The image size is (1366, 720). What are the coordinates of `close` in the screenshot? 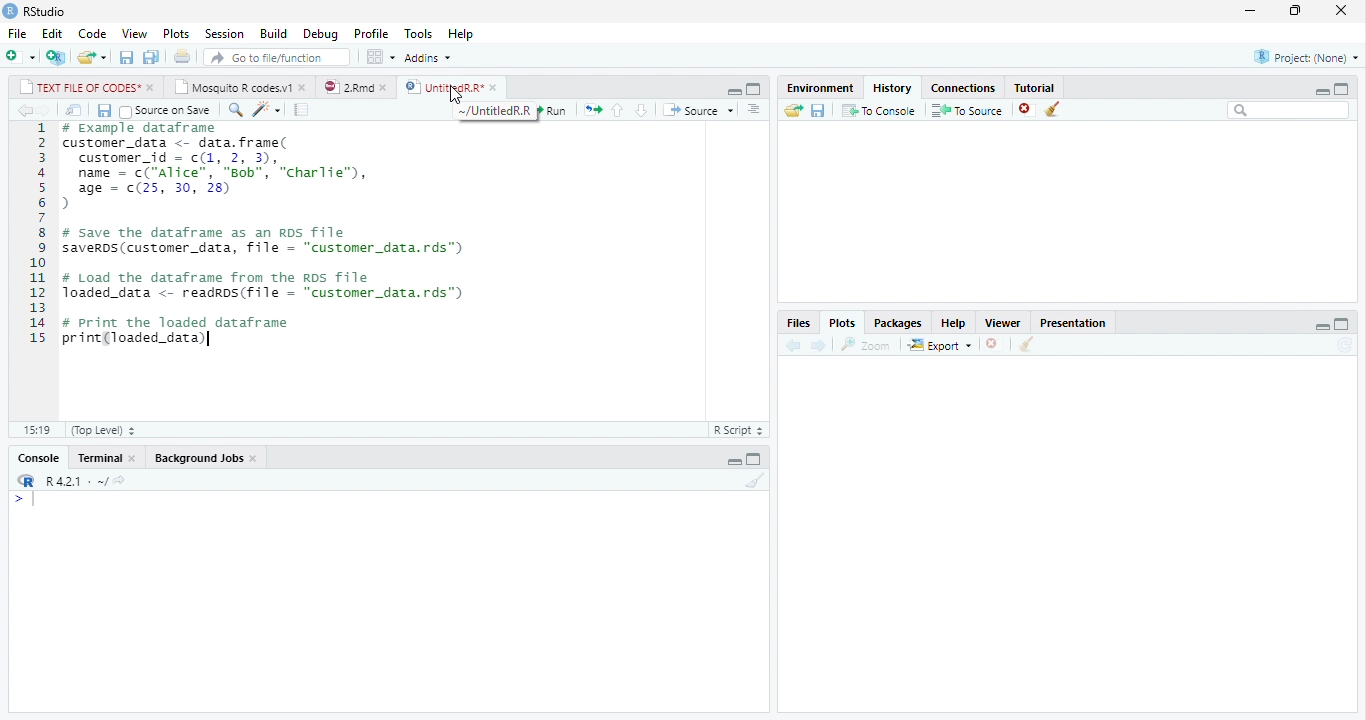 It's located at (134, 459).